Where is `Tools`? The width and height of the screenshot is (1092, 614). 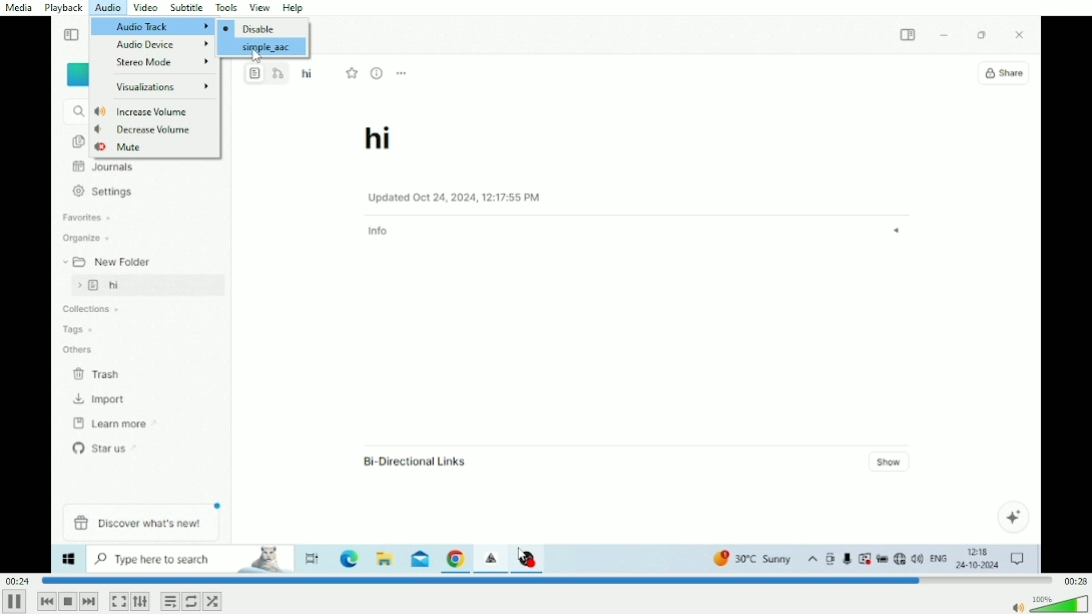
Tools is located at coordinates (227, 7).